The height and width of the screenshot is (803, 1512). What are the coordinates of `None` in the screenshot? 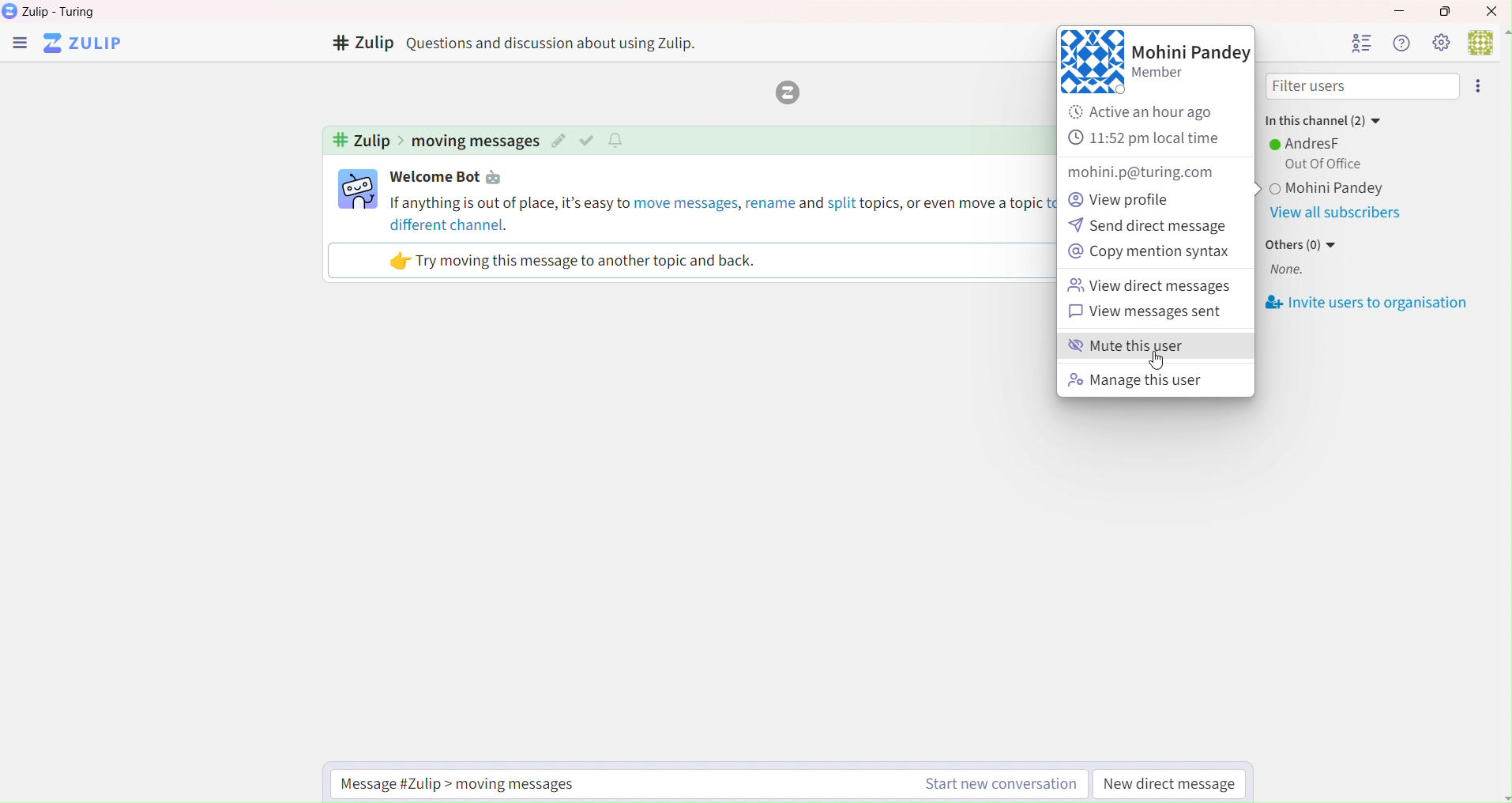 It's located at (1287, 271).